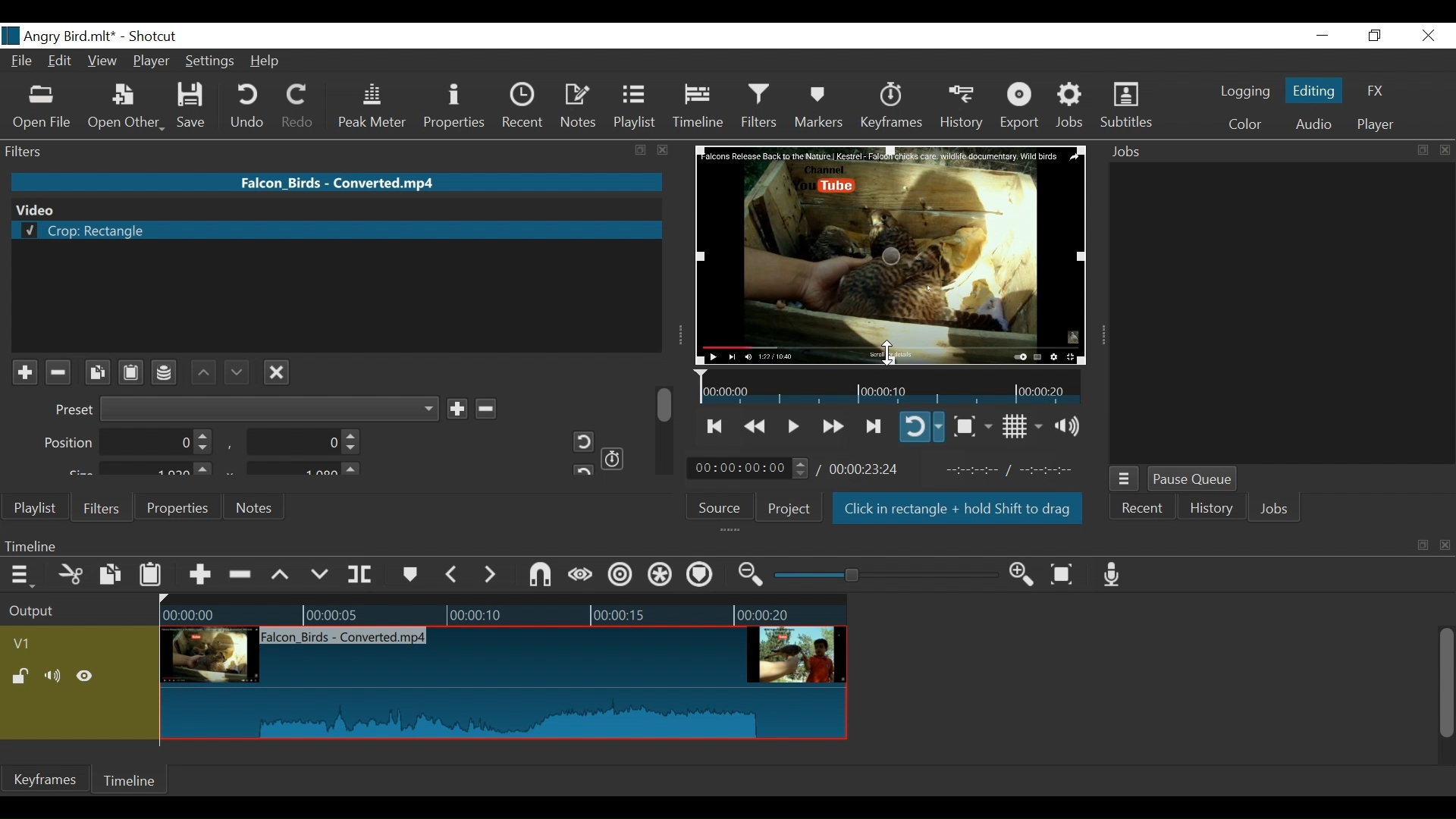 The image size is (1456, 819). What do you see at coordinates (24, 677) in the screenshot?
I see `(un)lock track` at bounding box center [24, 677].